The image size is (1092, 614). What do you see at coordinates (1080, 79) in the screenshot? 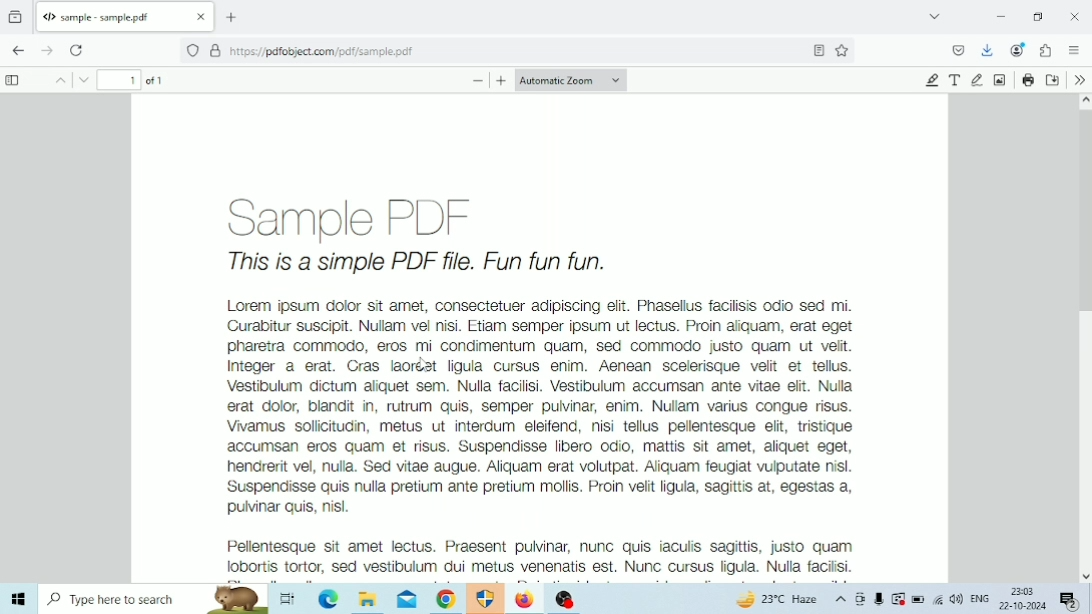
I see `Tools` at bounding box center [1080, 79].